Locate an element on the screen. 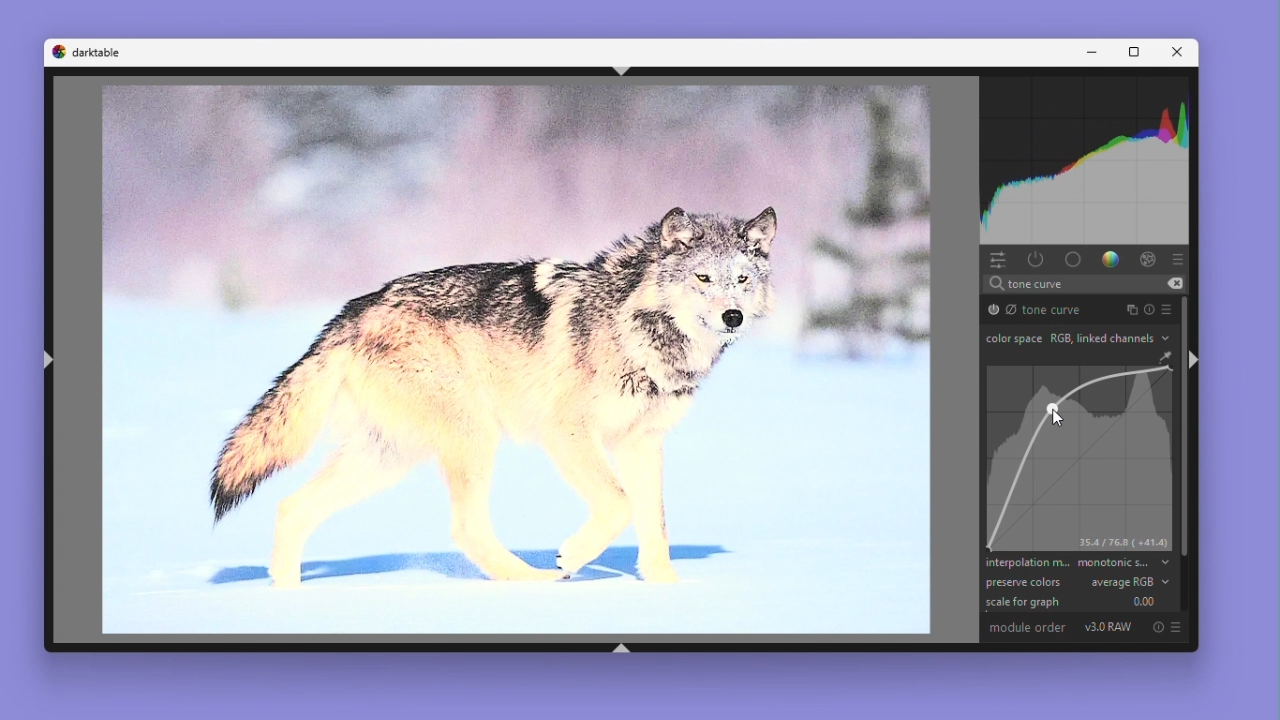  shift+ctrl+r is located at coordinates (1200, 359).